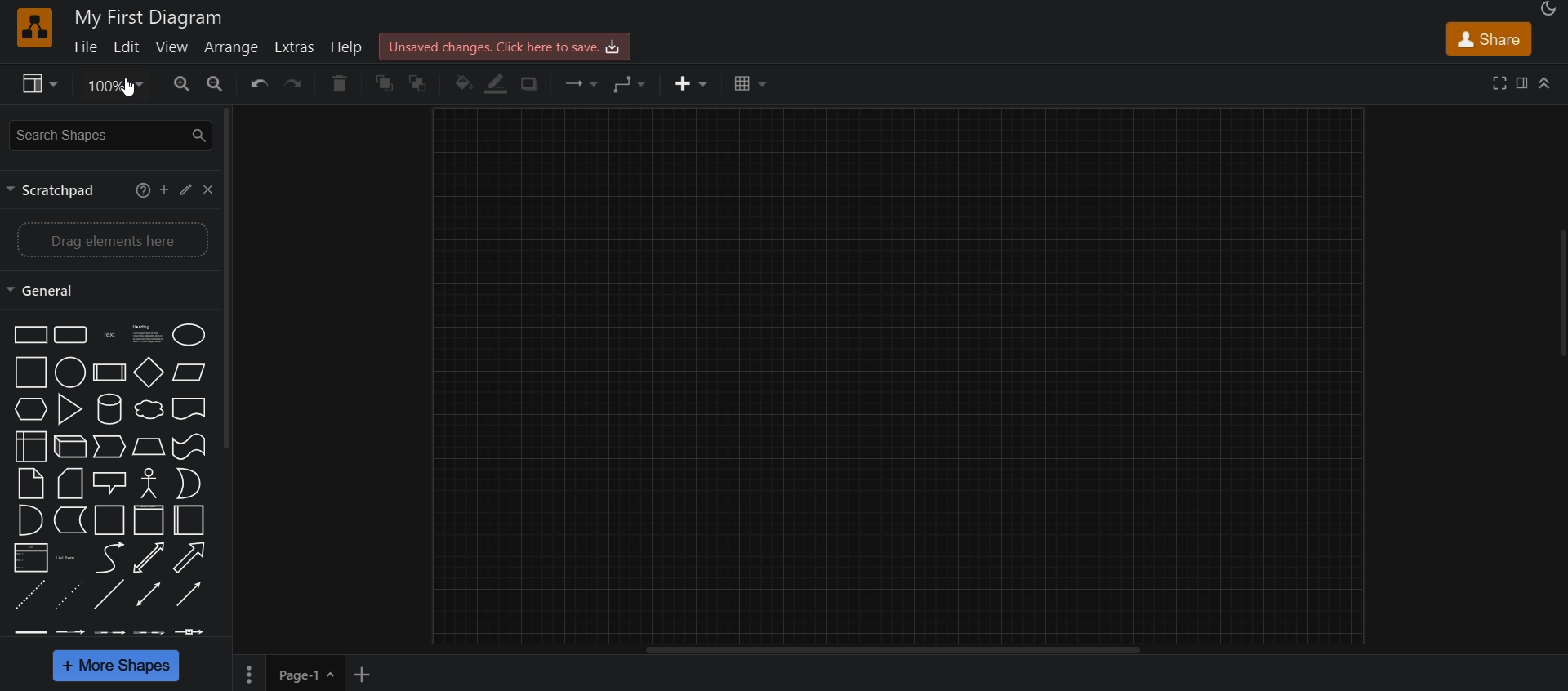  I want to click on add, so click(165, 189).